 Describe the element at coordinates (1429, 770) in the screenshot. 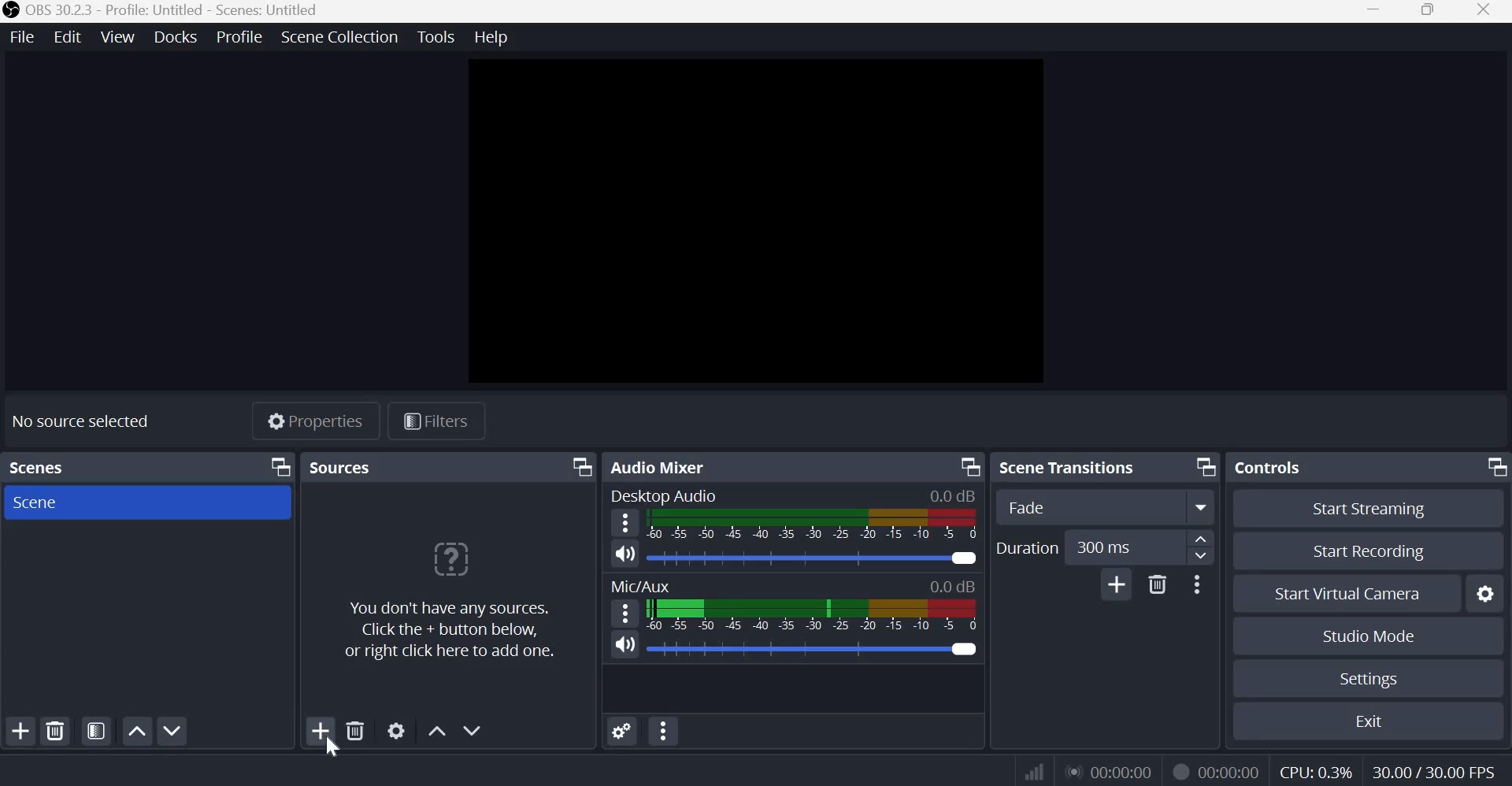

I see `Frame Rate (FPS)` at that location.